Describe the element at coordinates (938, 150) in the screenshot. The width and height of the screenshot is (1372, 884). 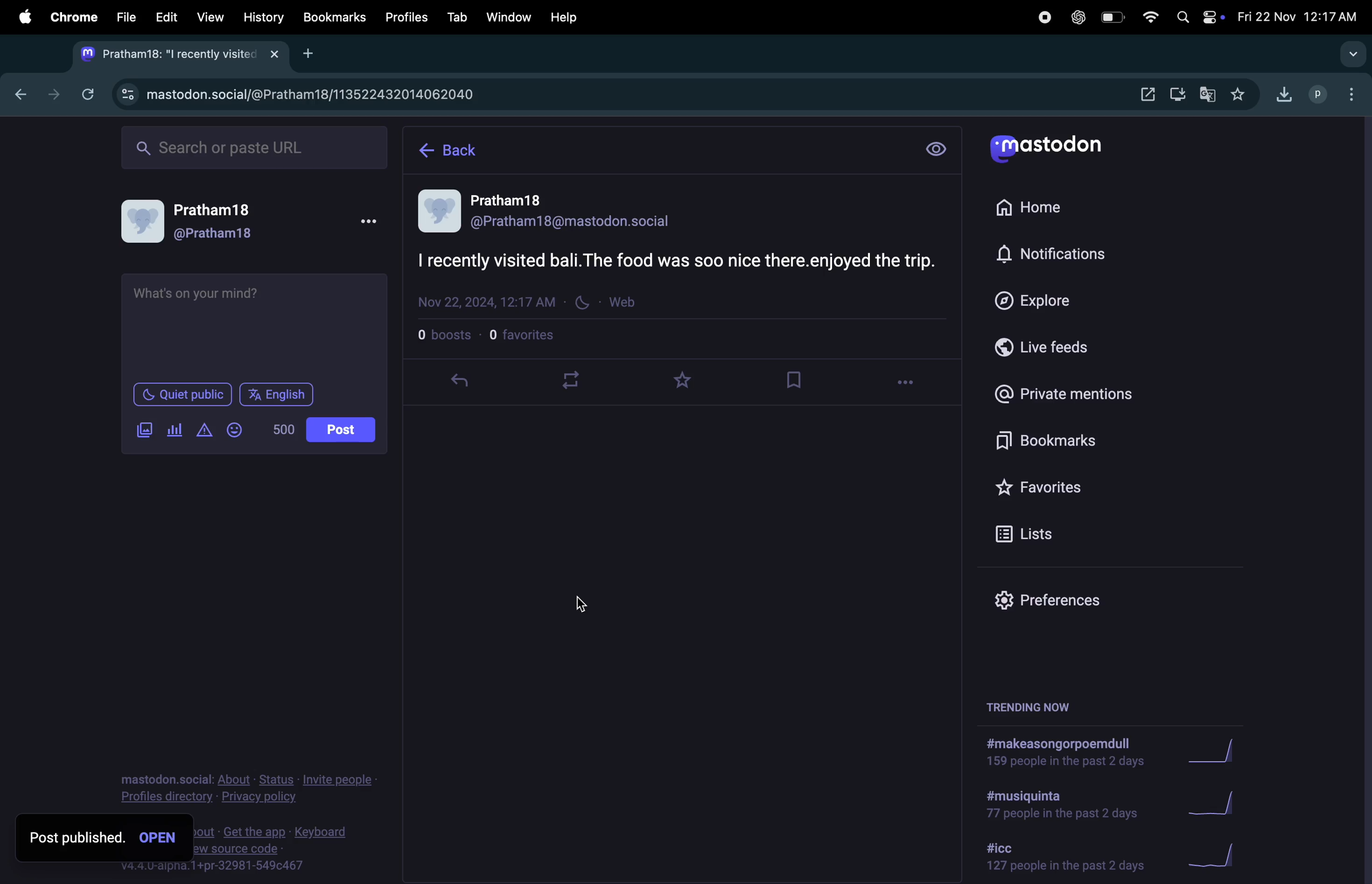
I see `view` at that location.